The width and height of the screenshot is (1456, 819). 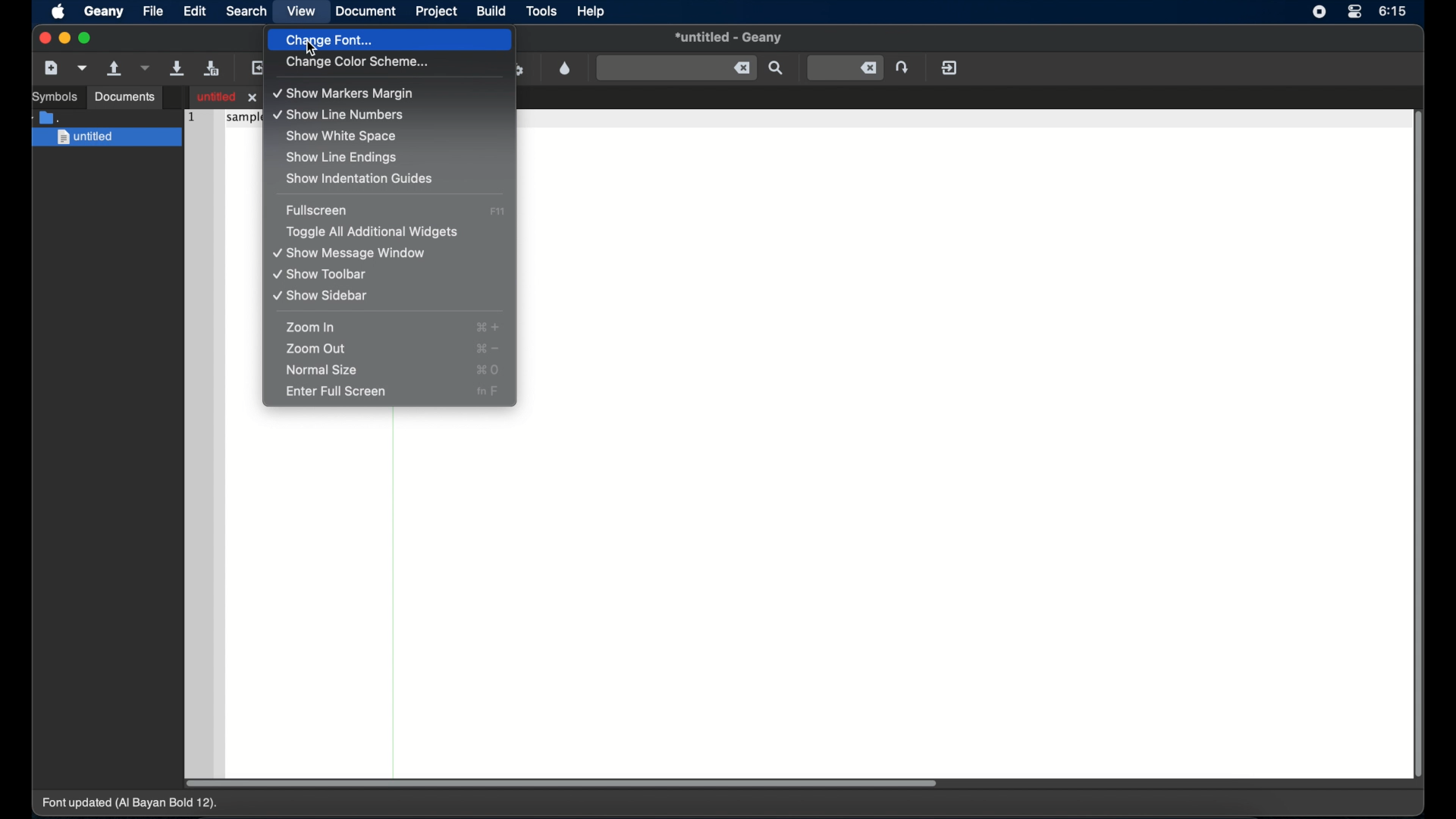 I want to click on search, so click(x=247, y=11).